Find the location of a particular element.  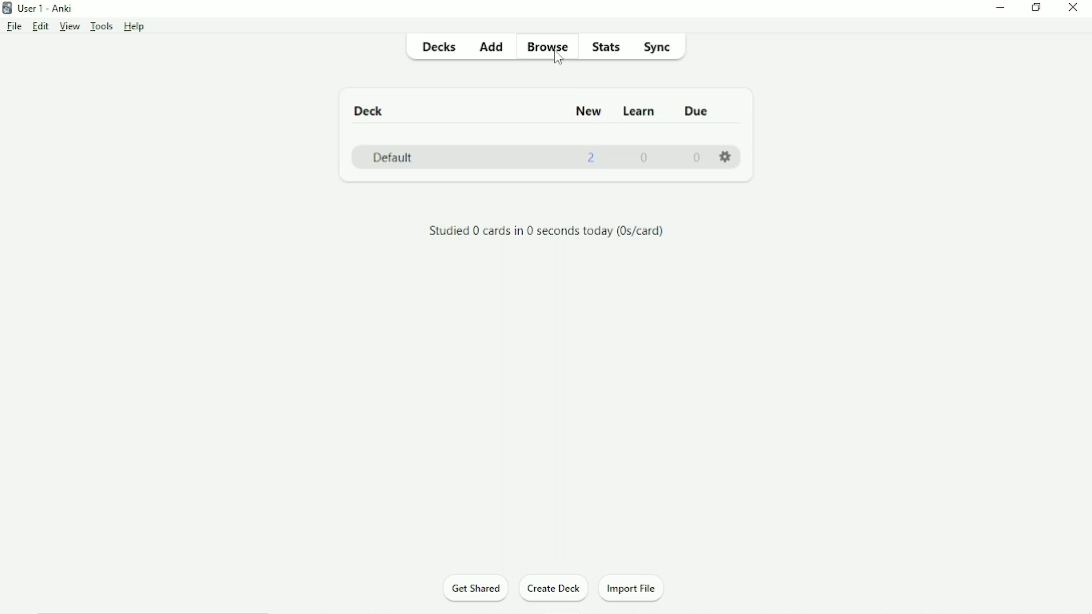

Help is located at coordinates (135, 26).